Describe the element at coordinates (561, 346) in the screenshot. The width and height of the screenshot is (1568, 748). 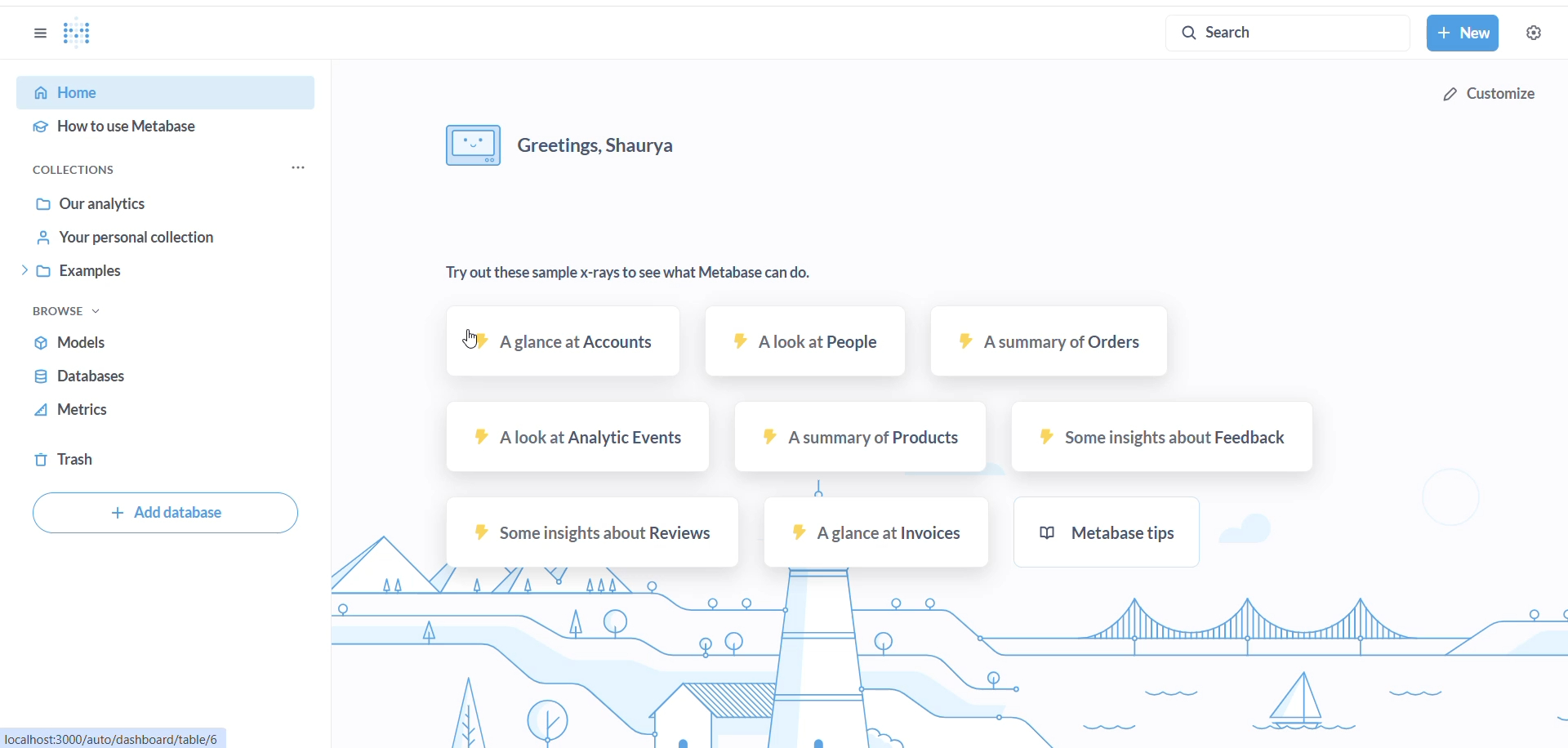
I see `A glance at account sample` at that location.